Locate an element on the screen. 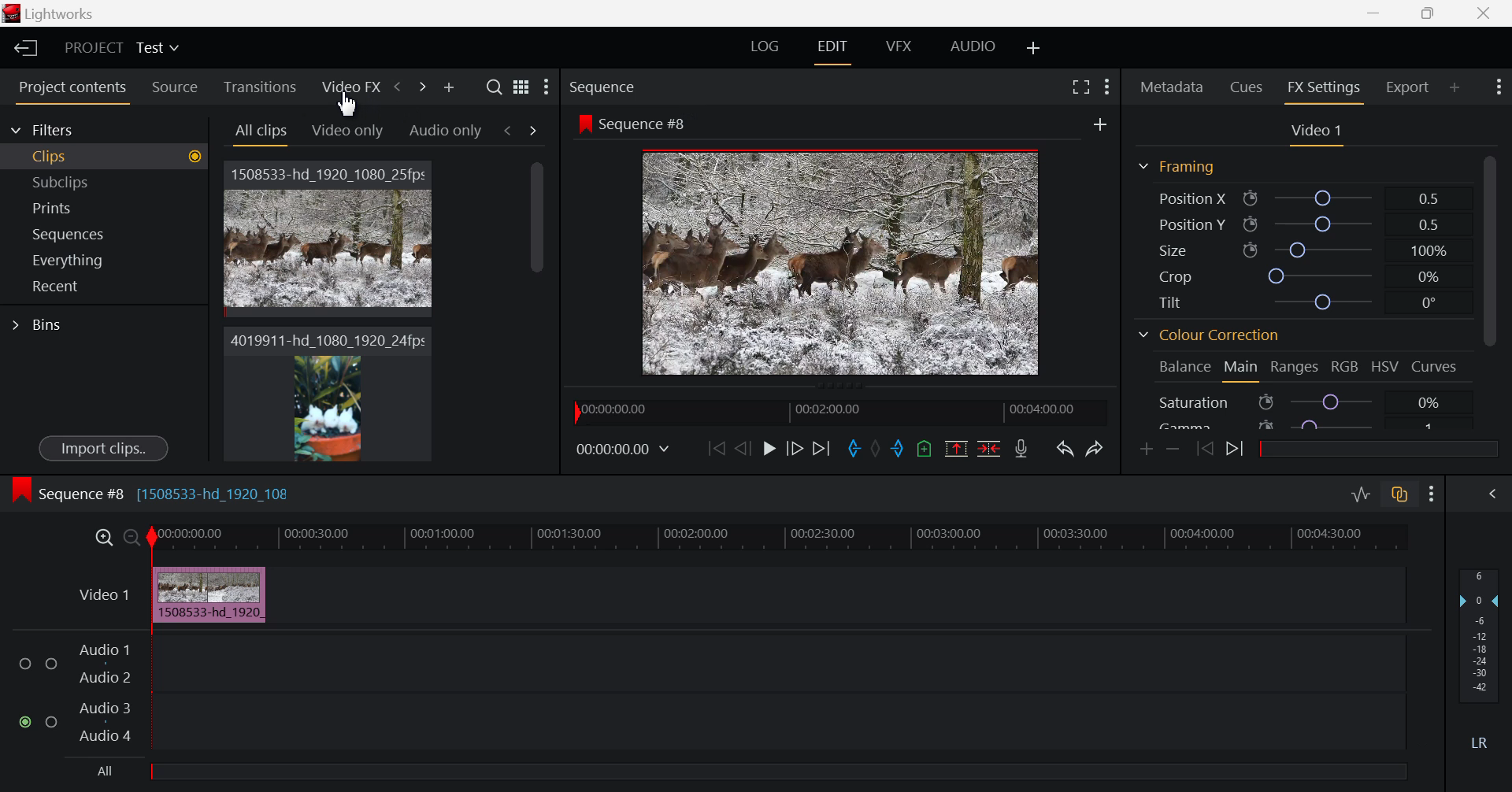 This screenshot has height=792, width=1512. Remove keyframe is located at coordinates (1173, 452).